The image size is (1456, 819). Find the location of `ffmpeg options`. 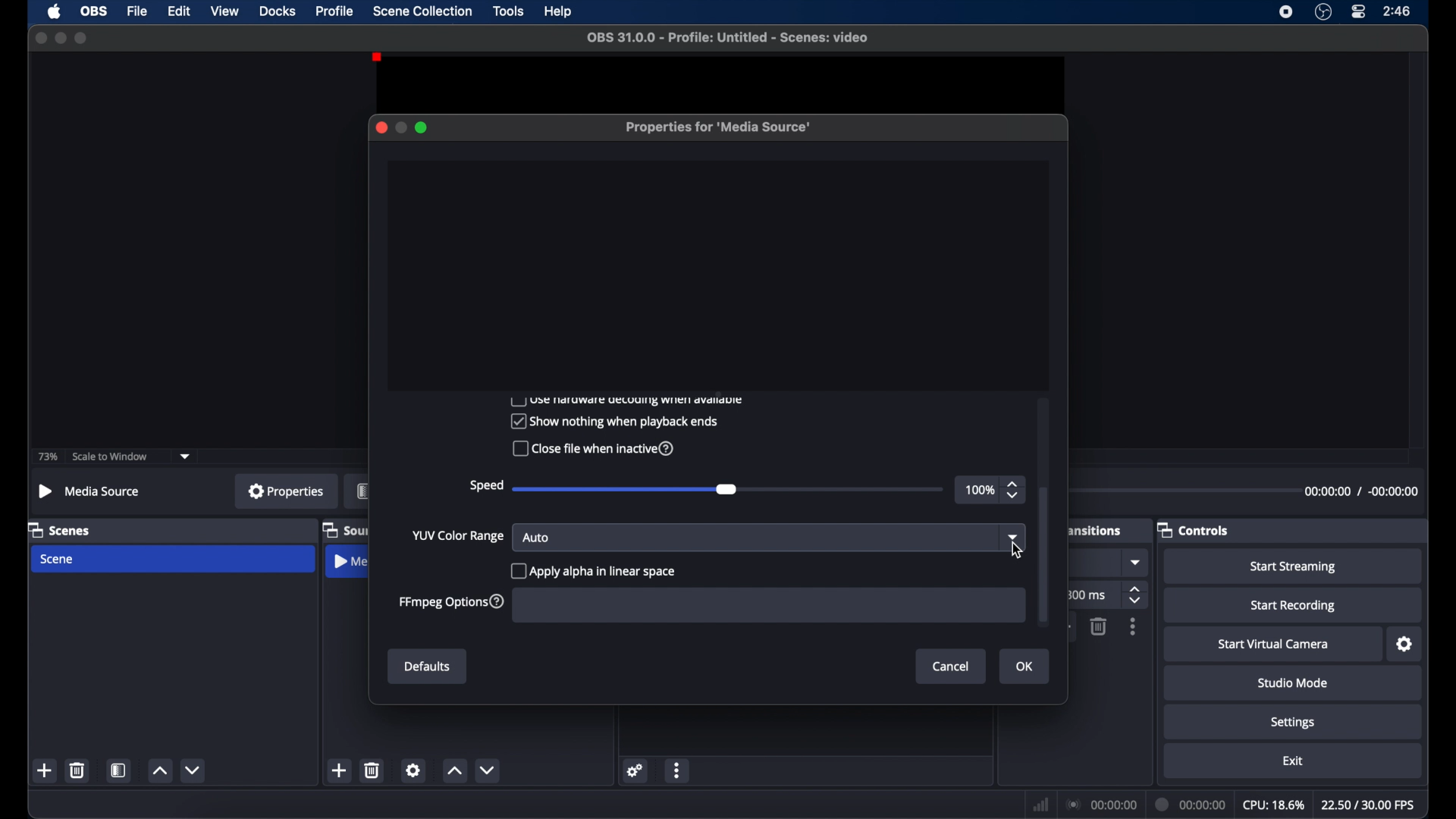

ffmpeg options is located at coordinates (451, 601).